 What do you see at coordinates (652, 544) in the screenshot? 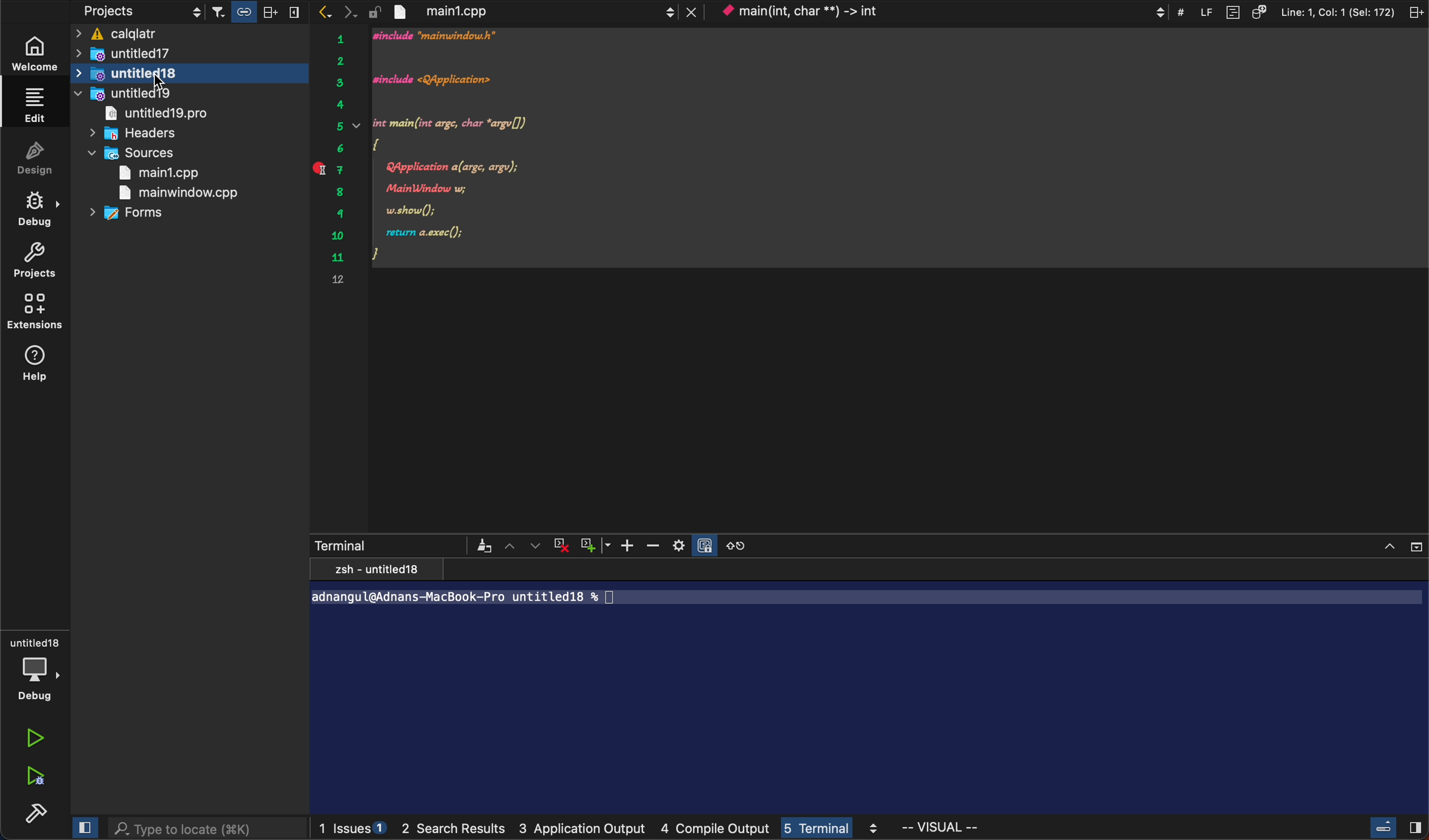
I see `zoom out` at bounding box center [652, 544].